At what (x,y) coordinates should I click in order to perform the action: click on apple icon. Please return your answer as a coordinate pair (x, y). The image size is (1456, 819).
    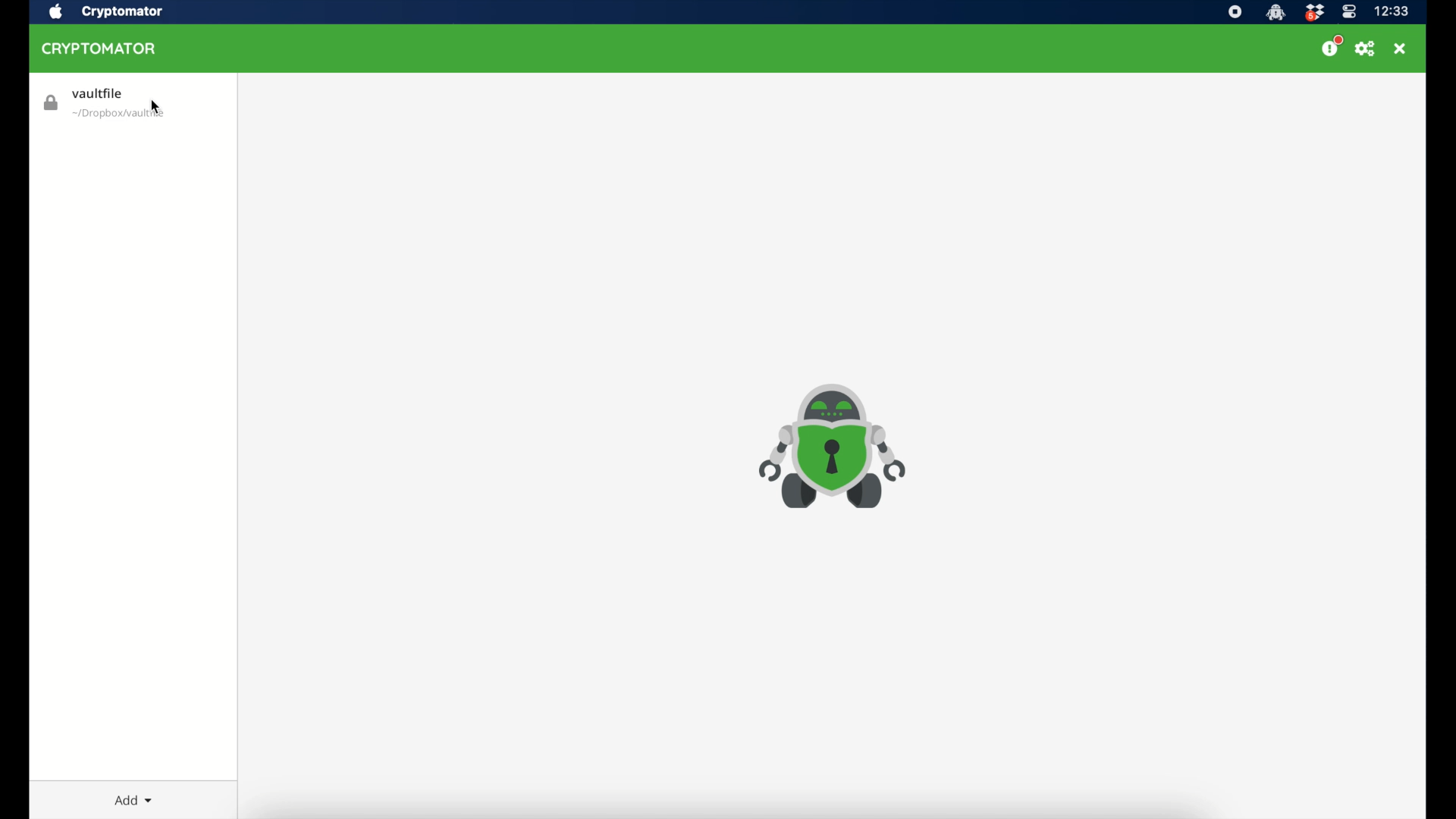
    Looking at the image, I should click on (55, 11).